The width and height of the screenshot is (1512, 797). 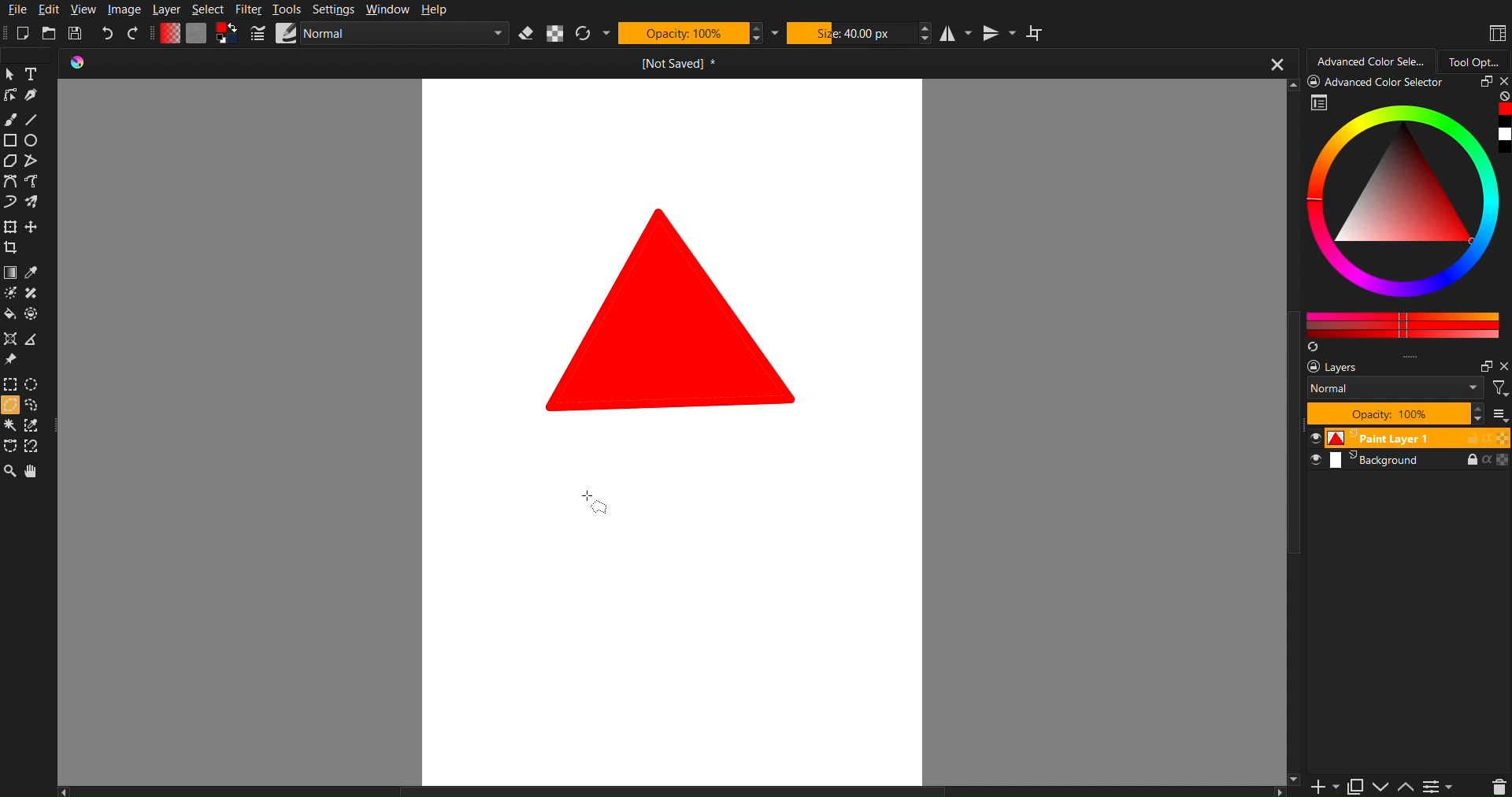 I want to click on Layer Controls, so click(x=1499, y=786).